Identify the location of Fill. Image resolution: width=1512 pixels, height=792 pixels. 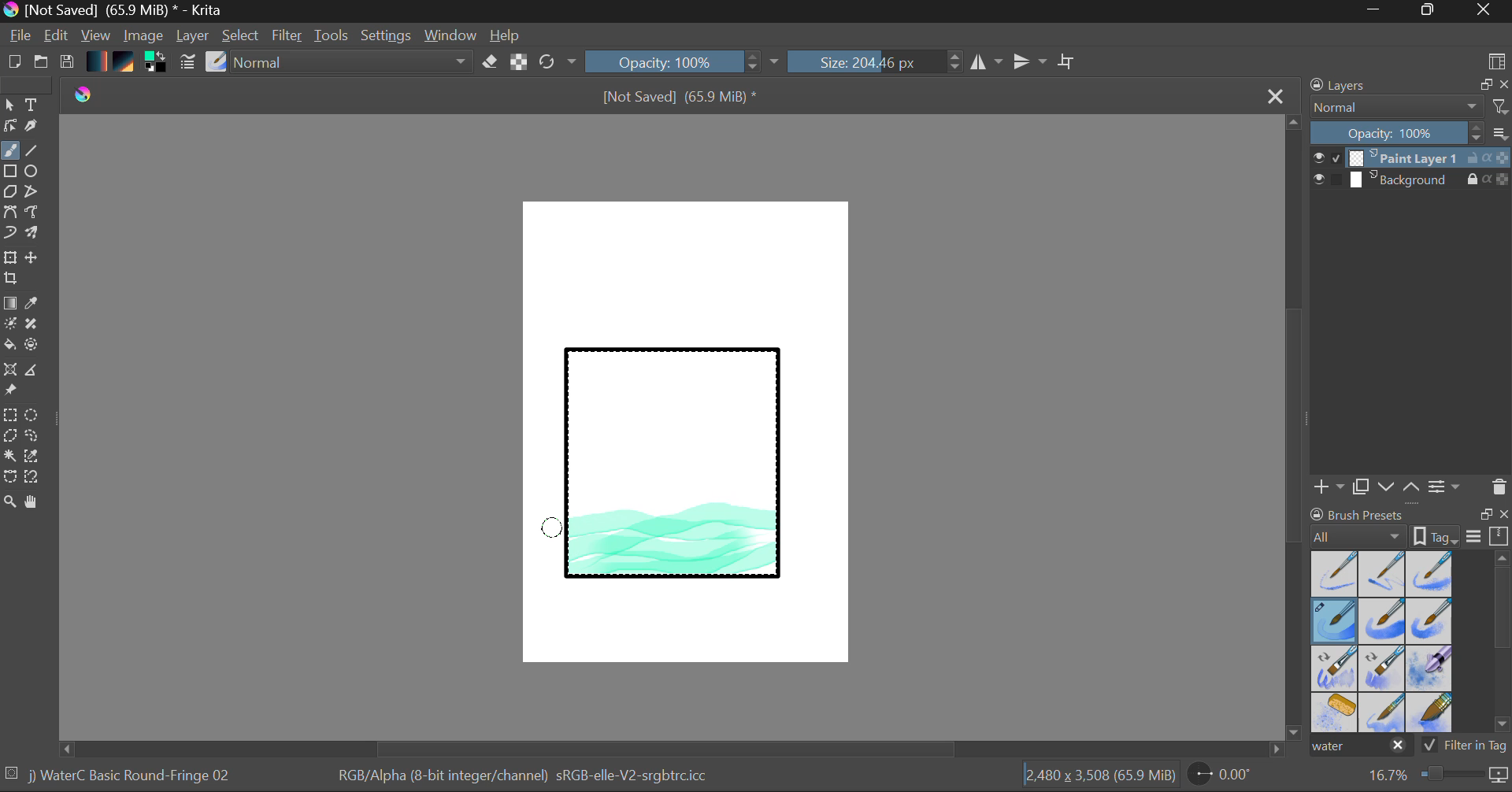
(9, 347).